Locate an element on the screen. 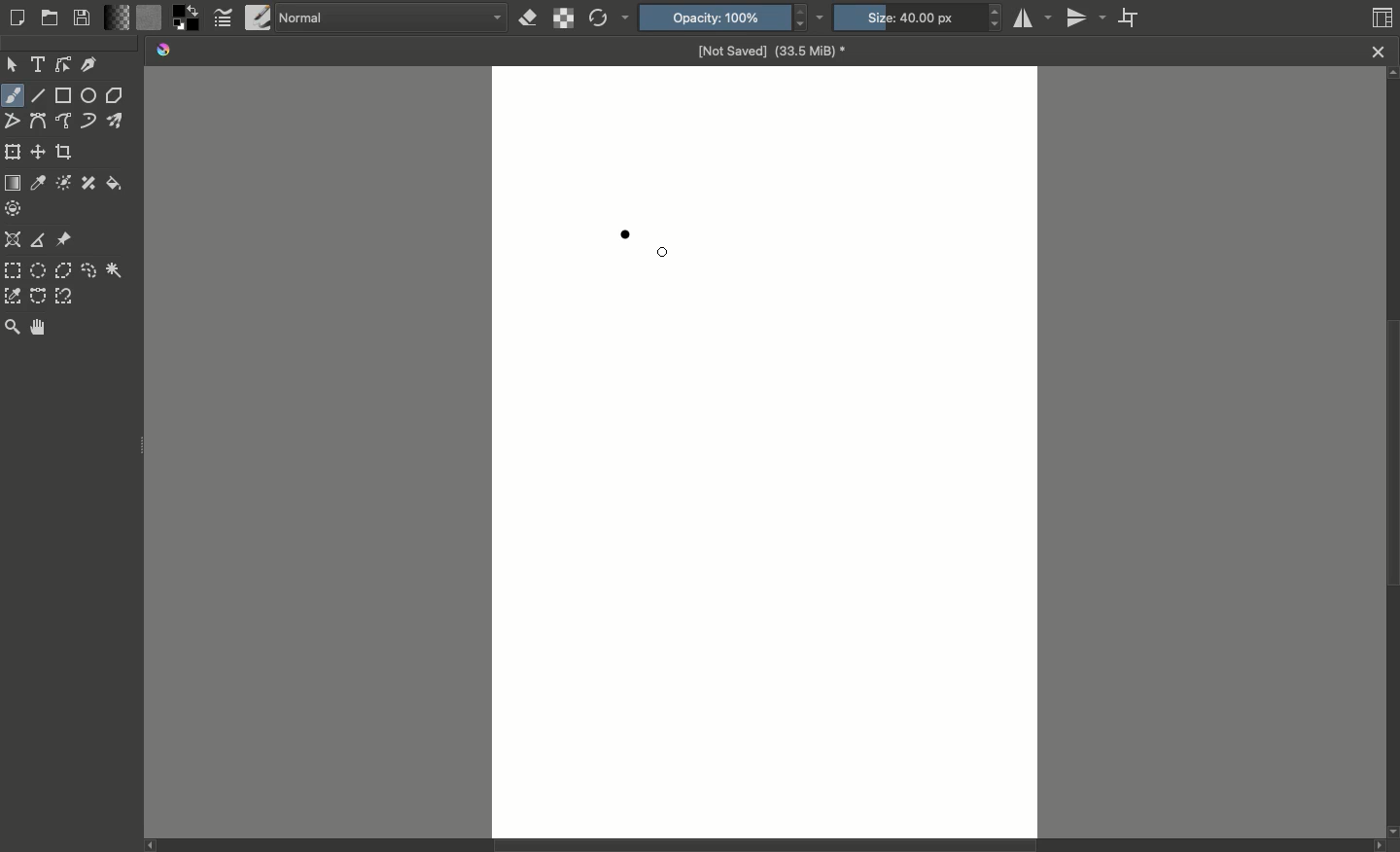 This screenshot has height=852, width=1400. Calligraphy is located at coordinates (90, 63).